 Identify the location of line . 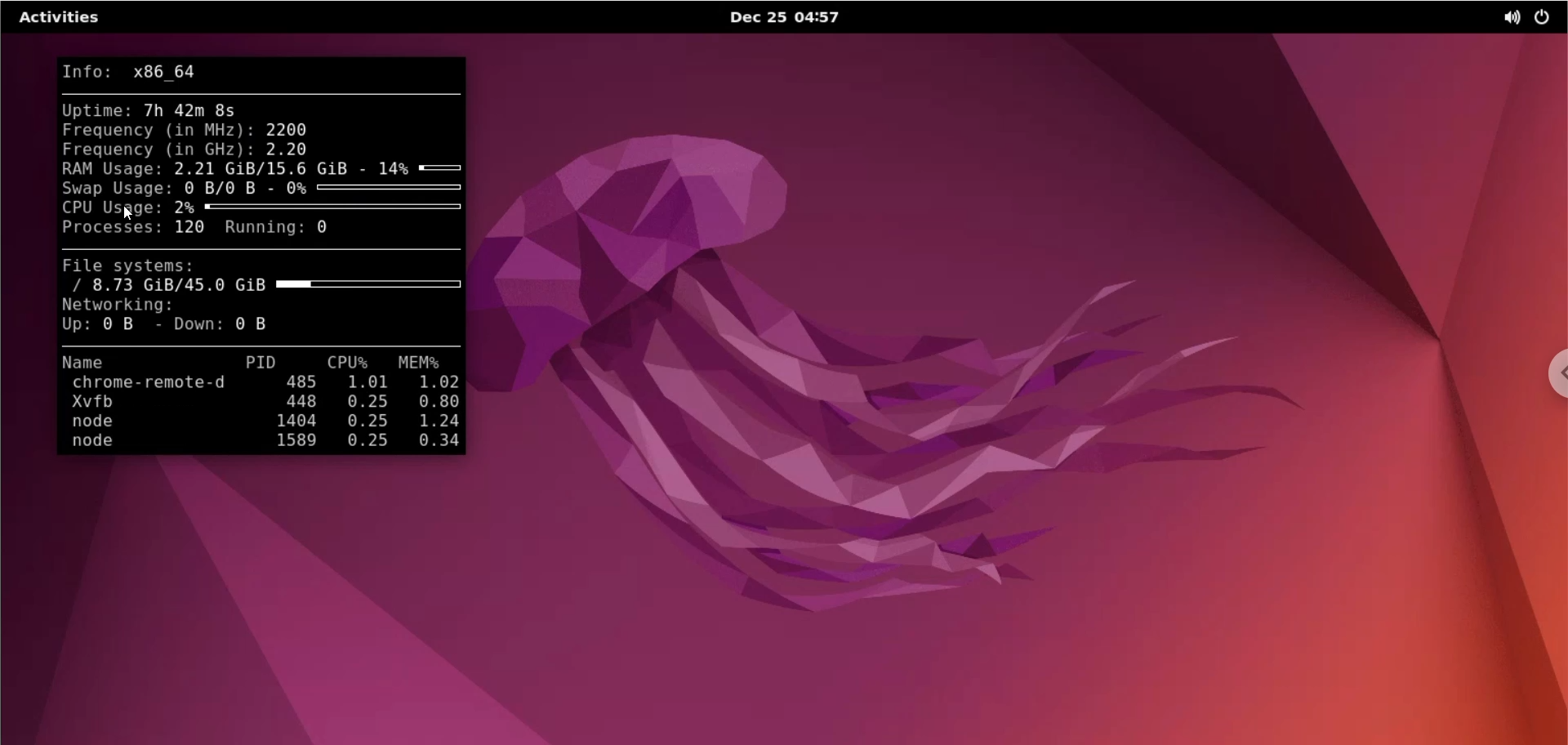
(263, 346).